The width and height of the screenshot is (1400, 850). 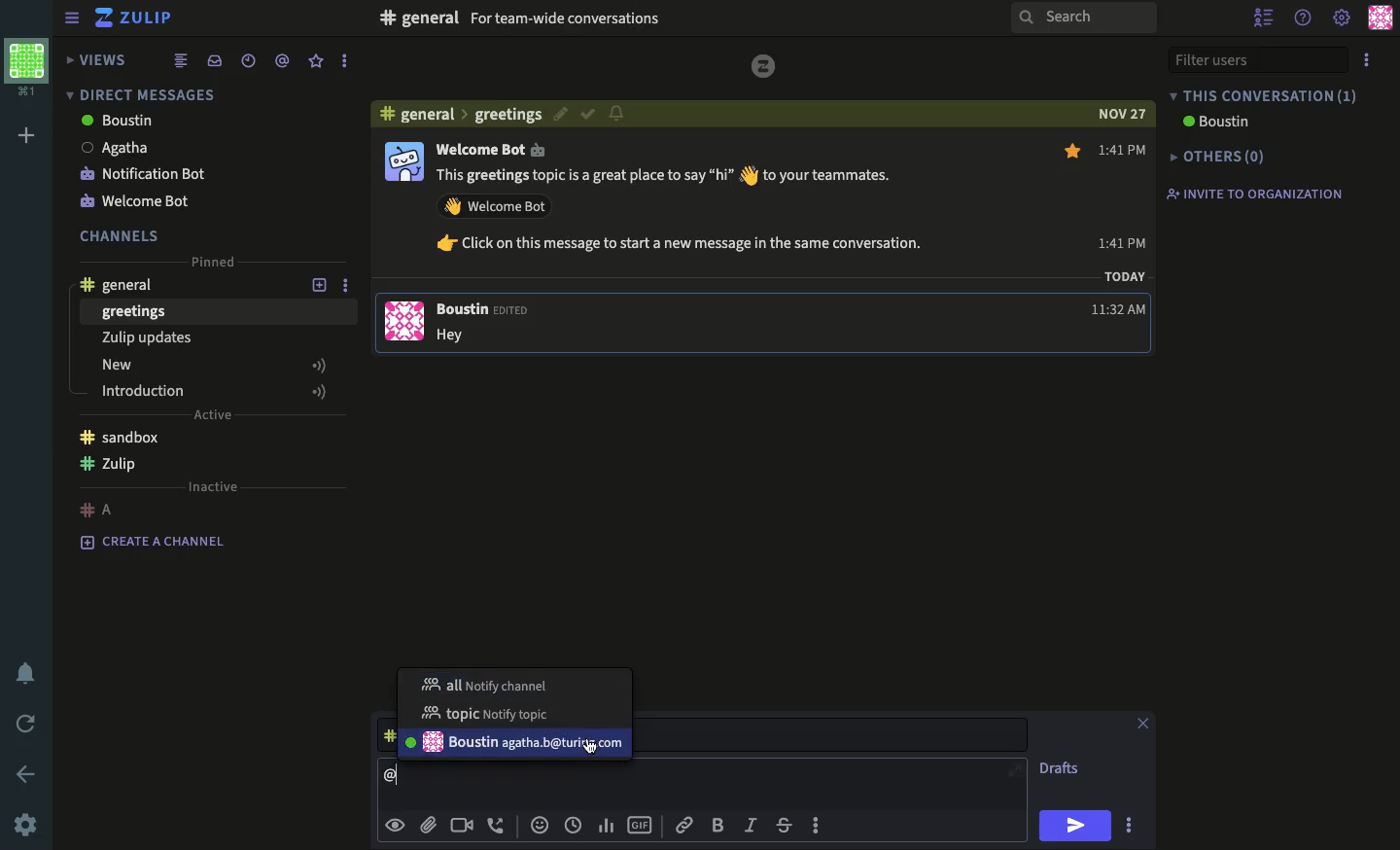 I want to click on options, so click(x=351, y=287).